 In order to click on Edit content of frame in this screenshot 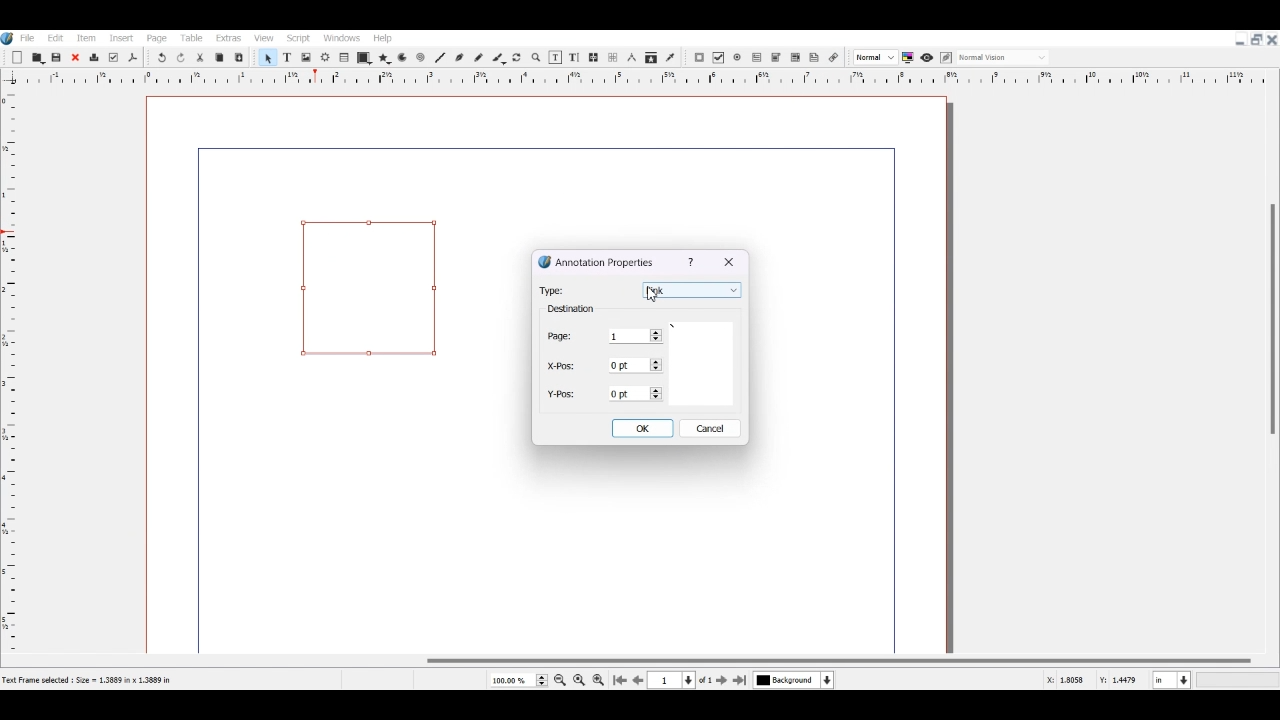, I will do `click(555, 57)`.